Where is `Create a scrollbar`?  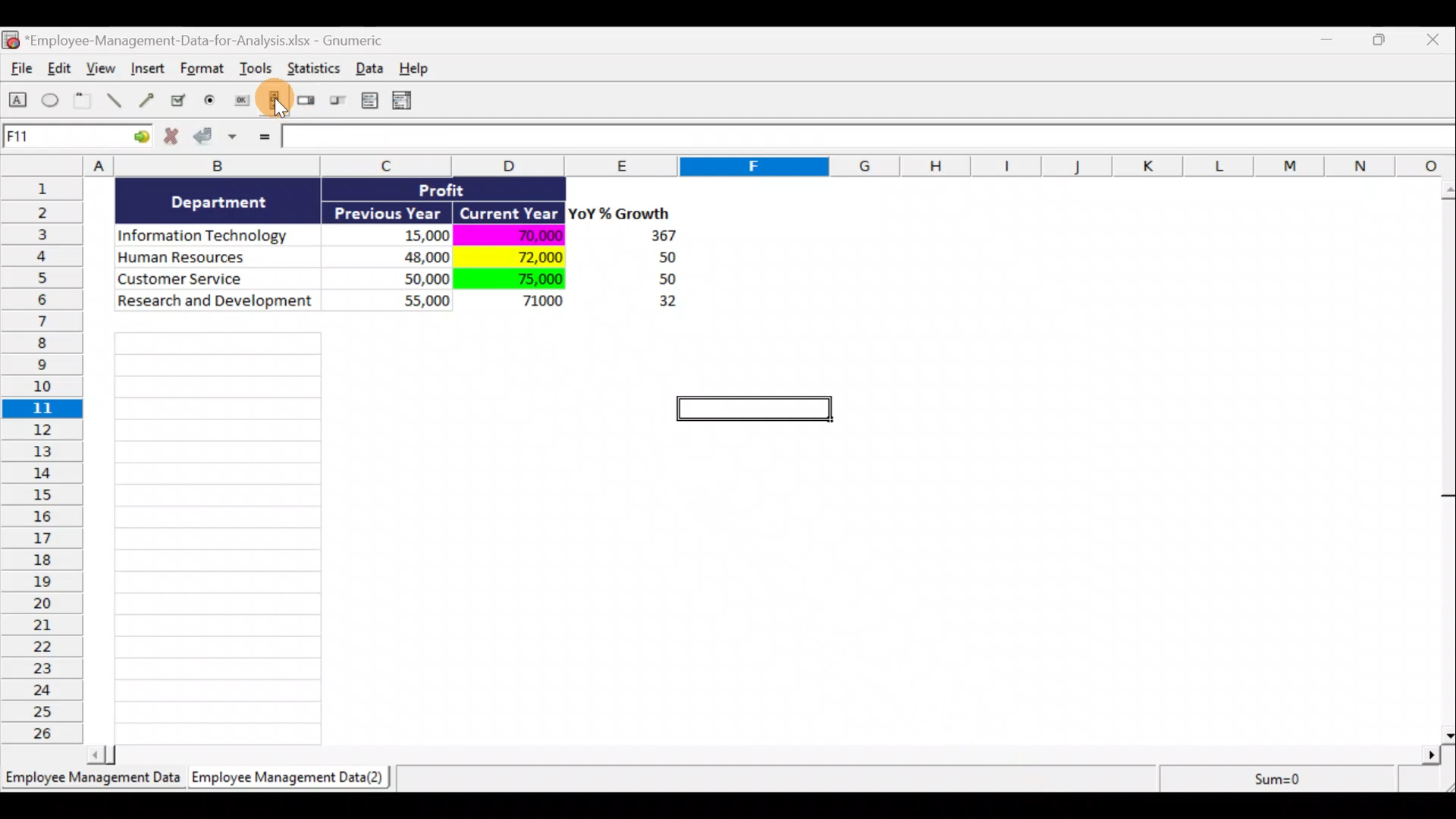 Create a scrollbar is located at coordinates (272, 103).